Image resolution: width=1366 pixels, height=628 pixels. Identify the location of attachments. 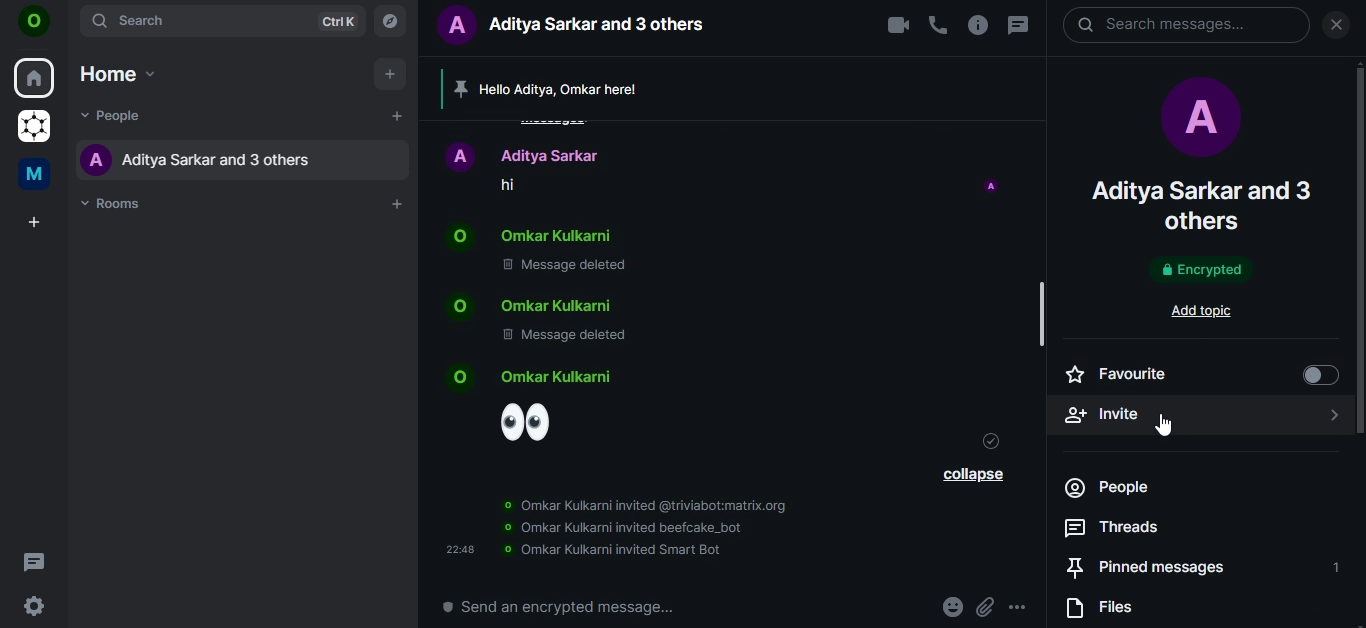
(989, 607).